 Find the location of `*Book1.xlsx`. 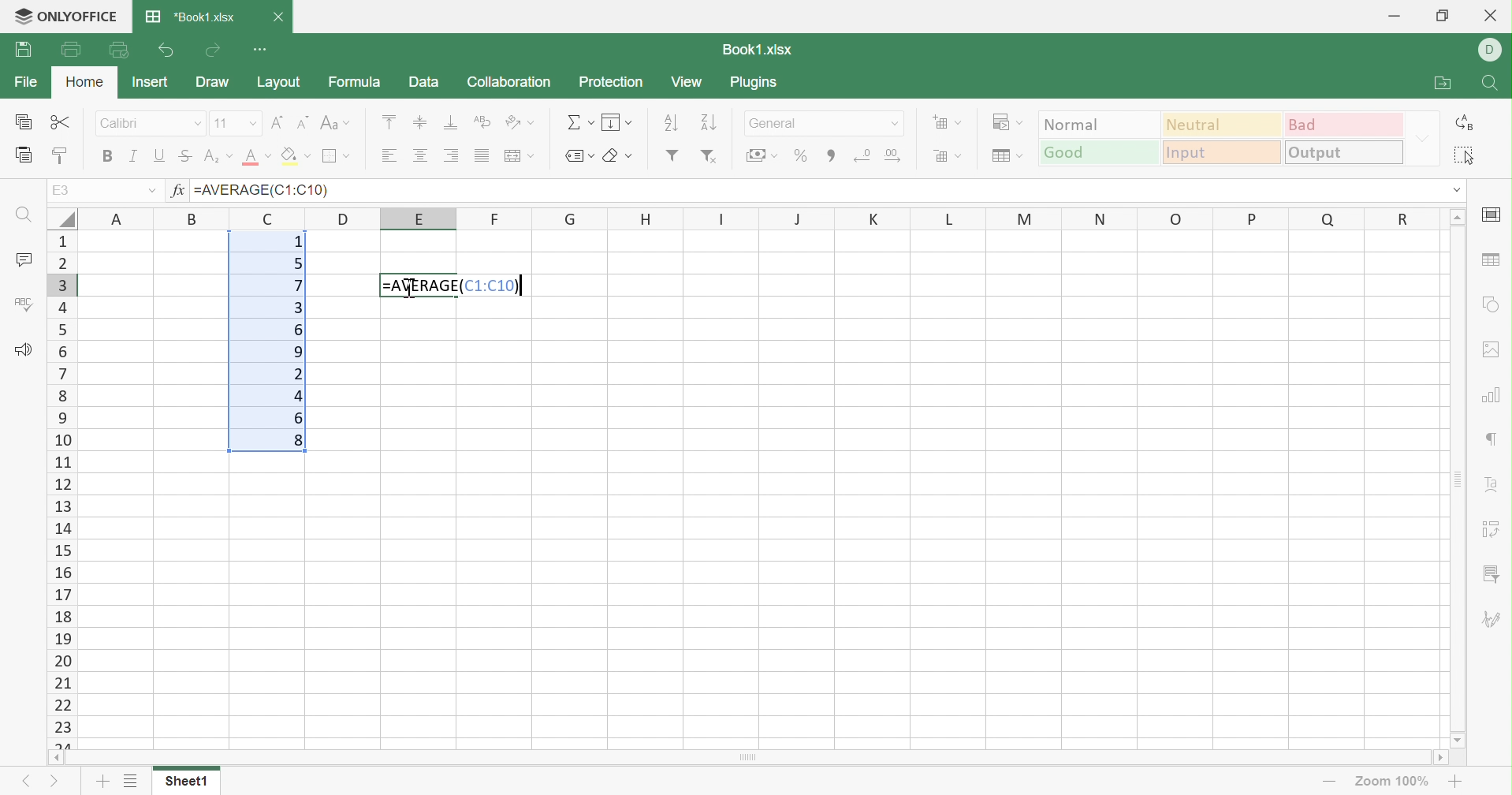

*Book1.xlsx is located at coordinates (188, 17).